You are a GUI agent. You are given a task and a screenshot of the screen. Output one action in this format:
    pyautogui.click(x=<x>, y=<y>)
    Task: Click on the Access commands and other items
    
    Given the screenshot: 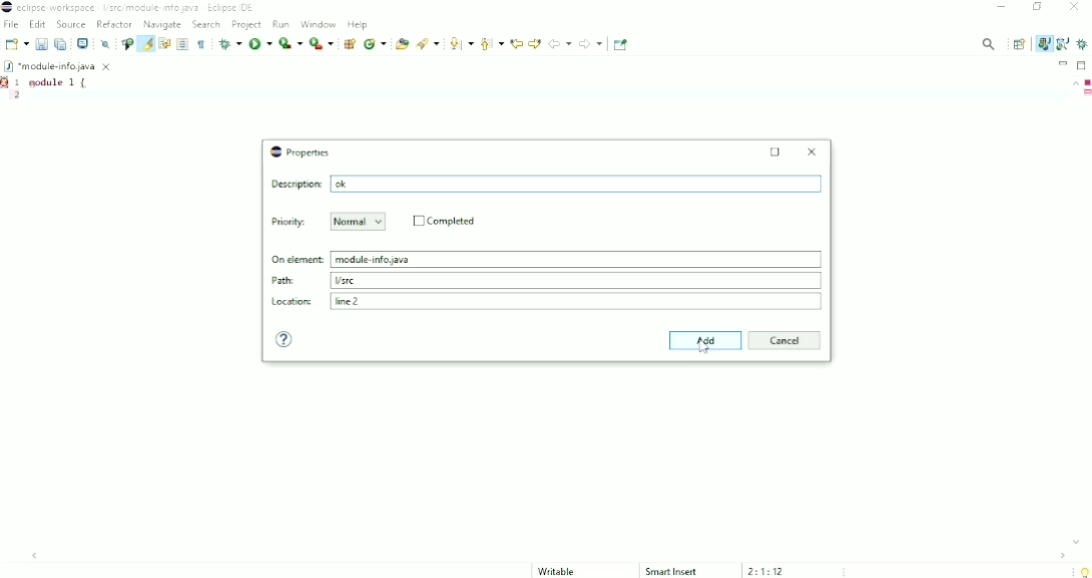 What is the action you would take?
    pyautogui.click(x=989, y=43)
    